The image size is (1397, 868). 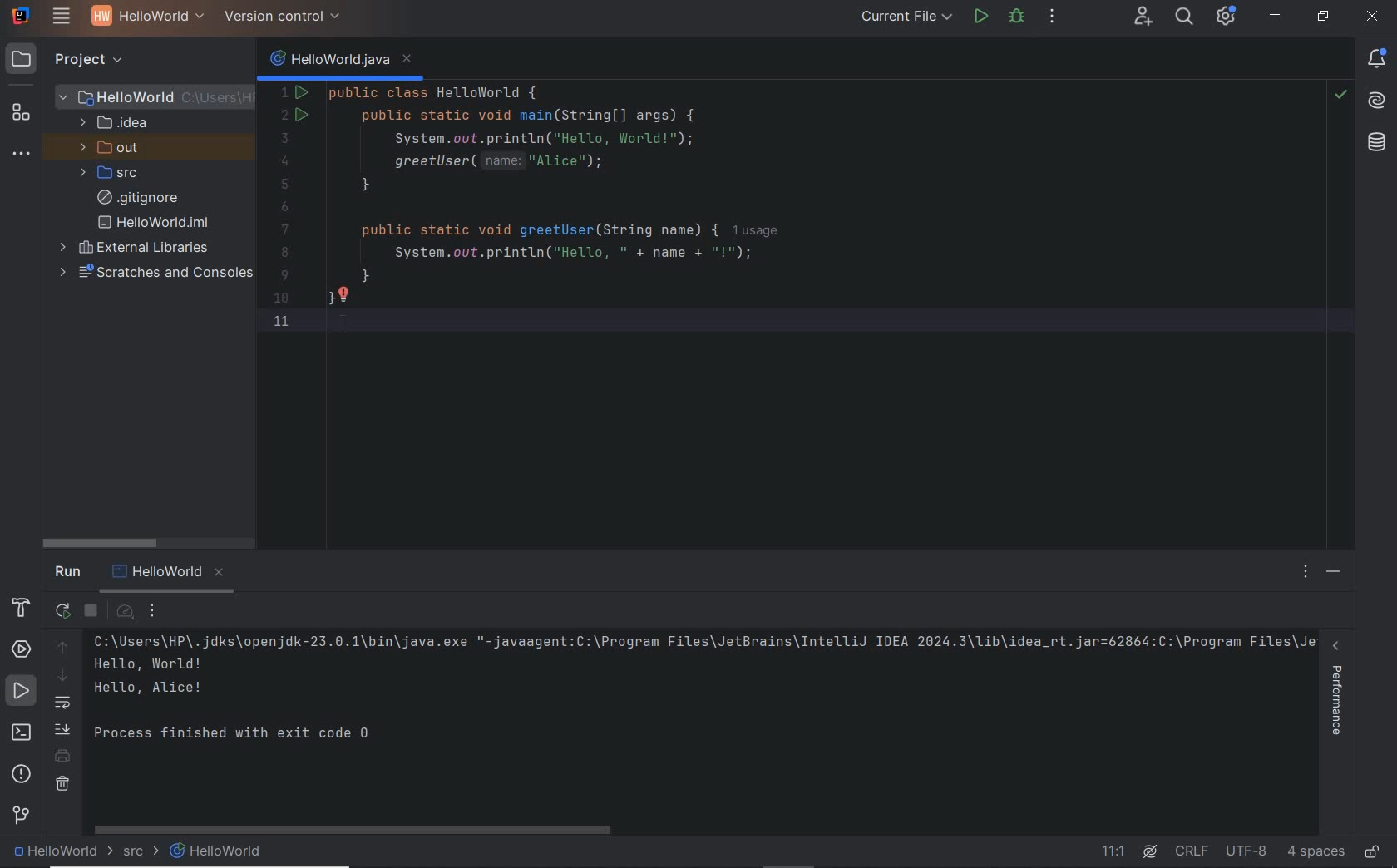 What do you see at coordinates (62, 677) in the screenshot?
I see `down the stack trace` at bounding box center [62, 677].